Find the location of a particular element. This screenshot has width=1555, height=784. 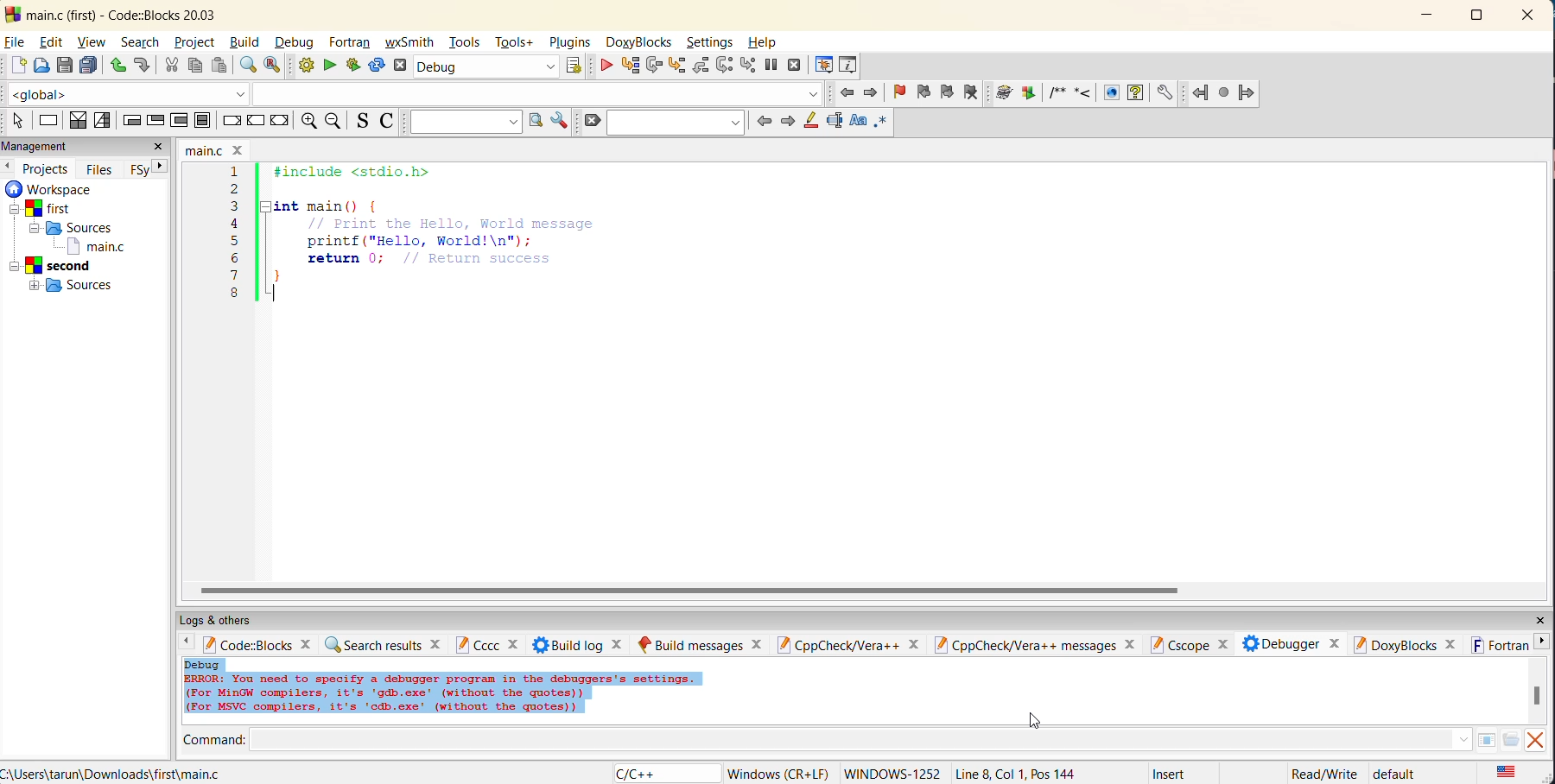

fortran info is located at coordinates (1501, 646).